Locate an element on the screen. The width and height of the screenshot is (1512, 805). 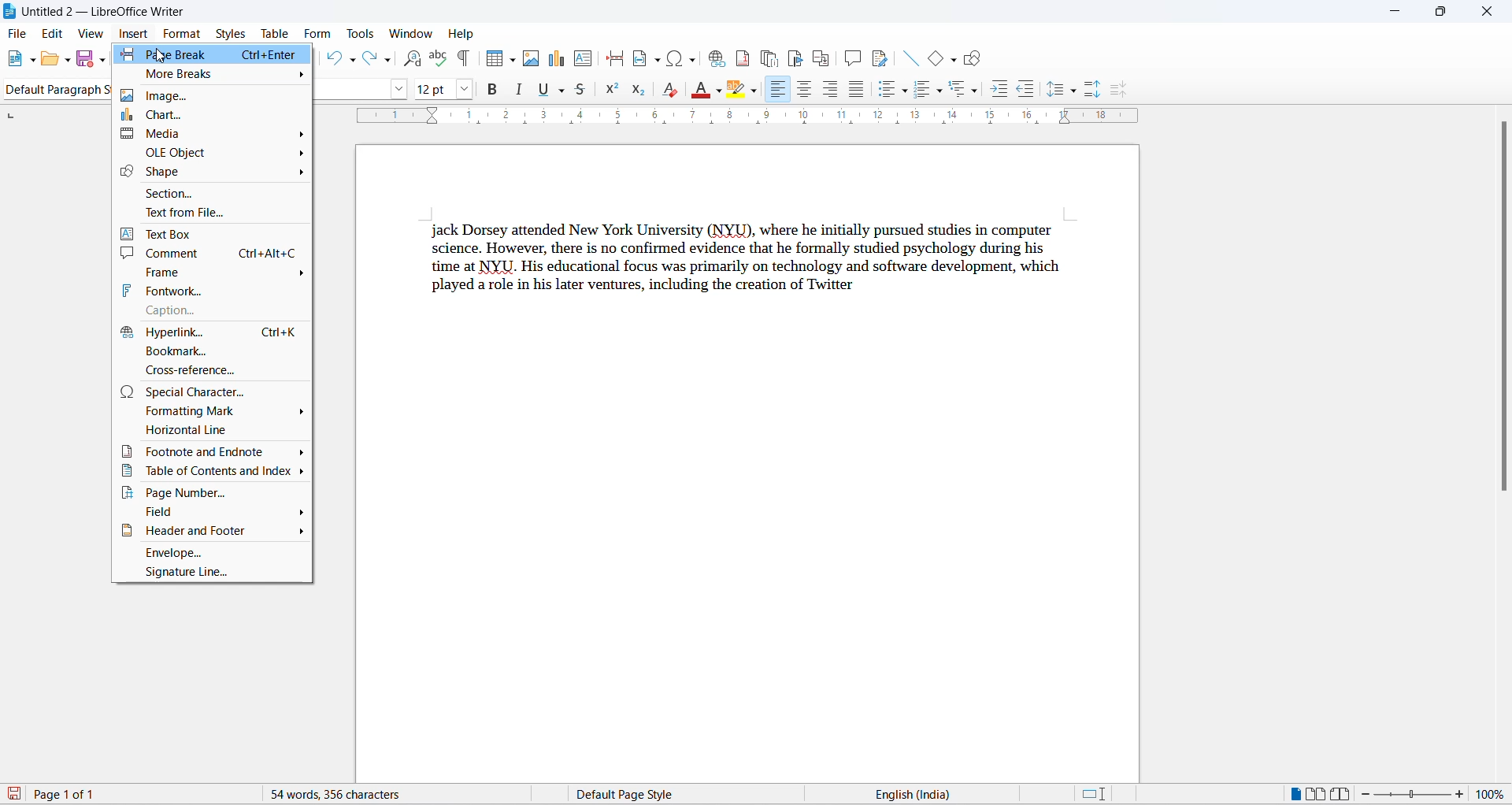
hyperlink is located at coordinates (213, 330).